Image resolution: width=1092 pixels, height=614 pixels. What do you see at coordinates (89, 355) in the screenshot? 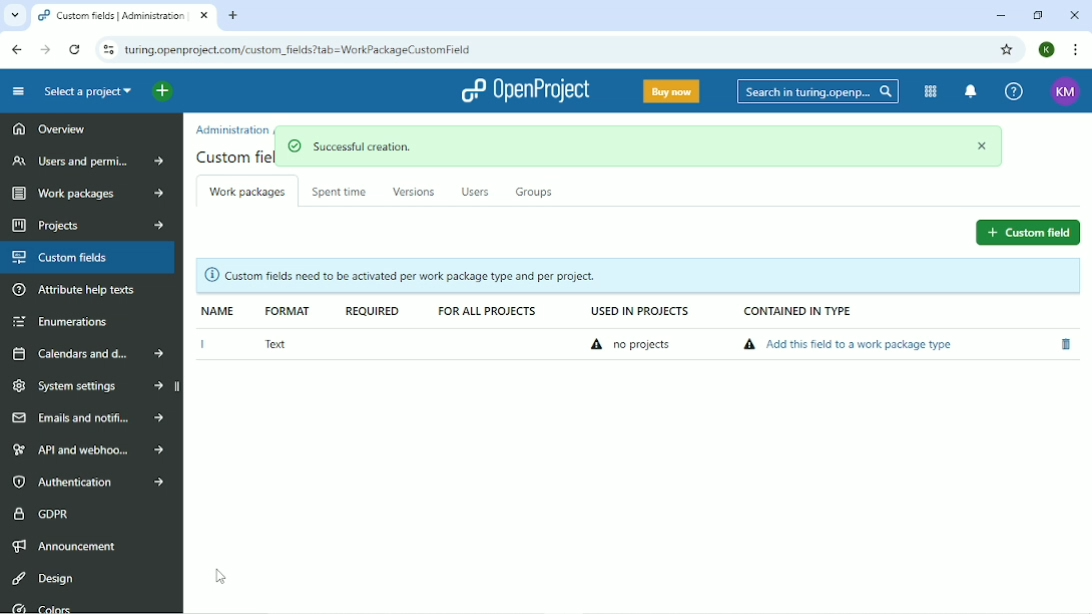
I see `Calendars and dates` at bounding box center [89, 355].